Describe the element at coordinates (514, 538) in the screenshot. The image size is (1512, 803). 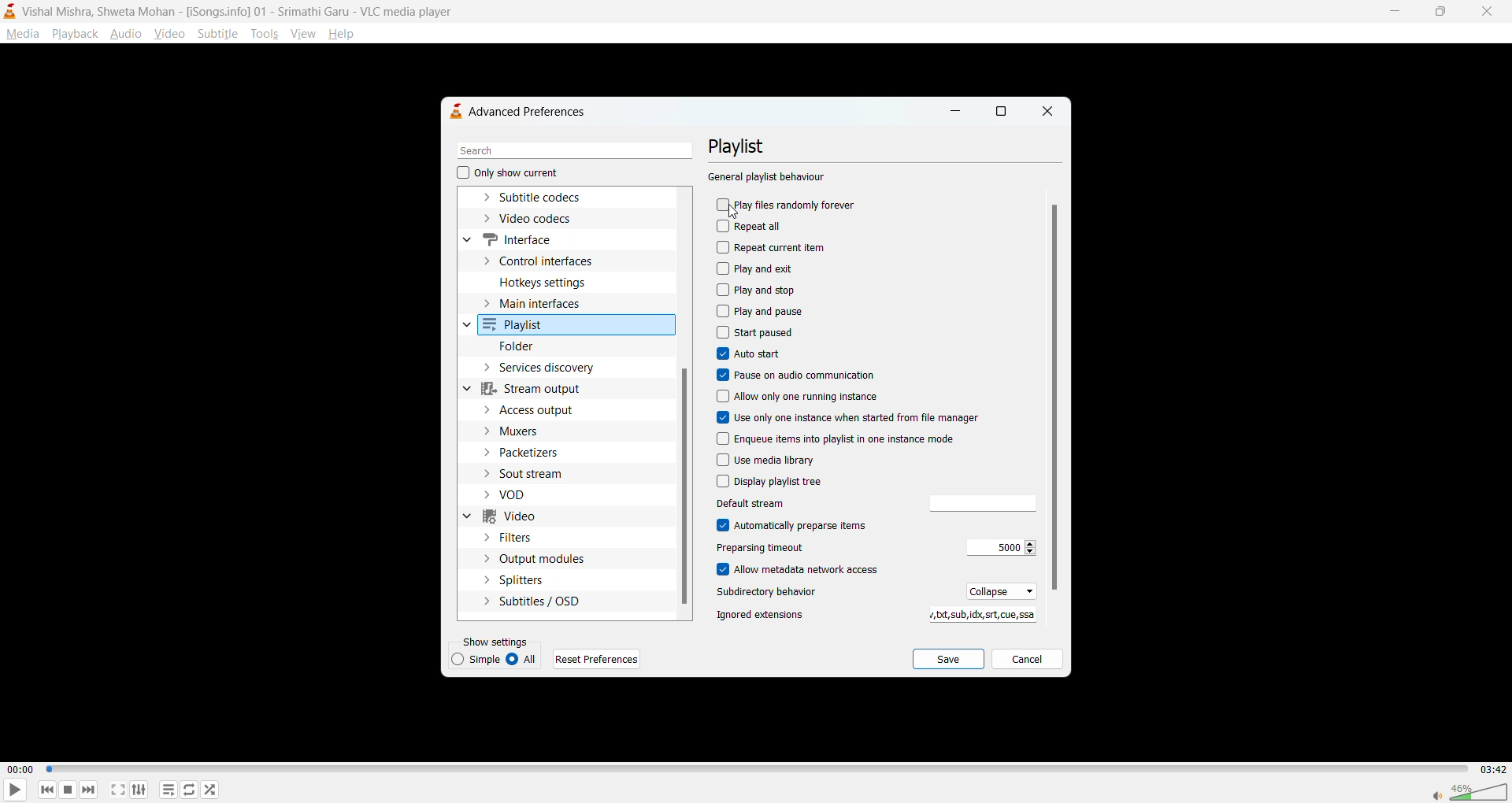
I see `filters` at that location.